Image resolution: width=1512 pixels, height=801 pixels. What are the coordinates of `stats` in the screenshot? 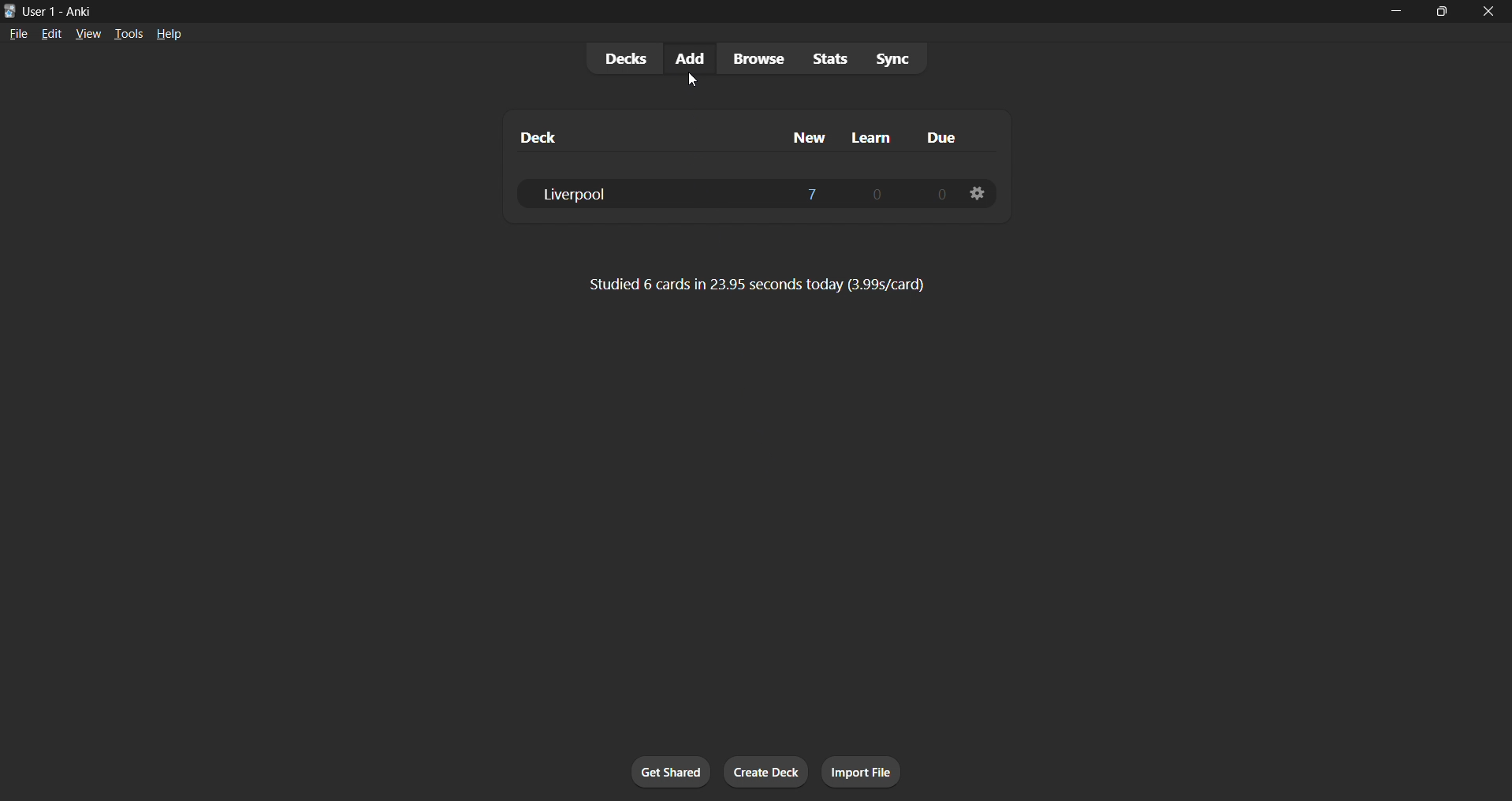 It's located at (833, 58).